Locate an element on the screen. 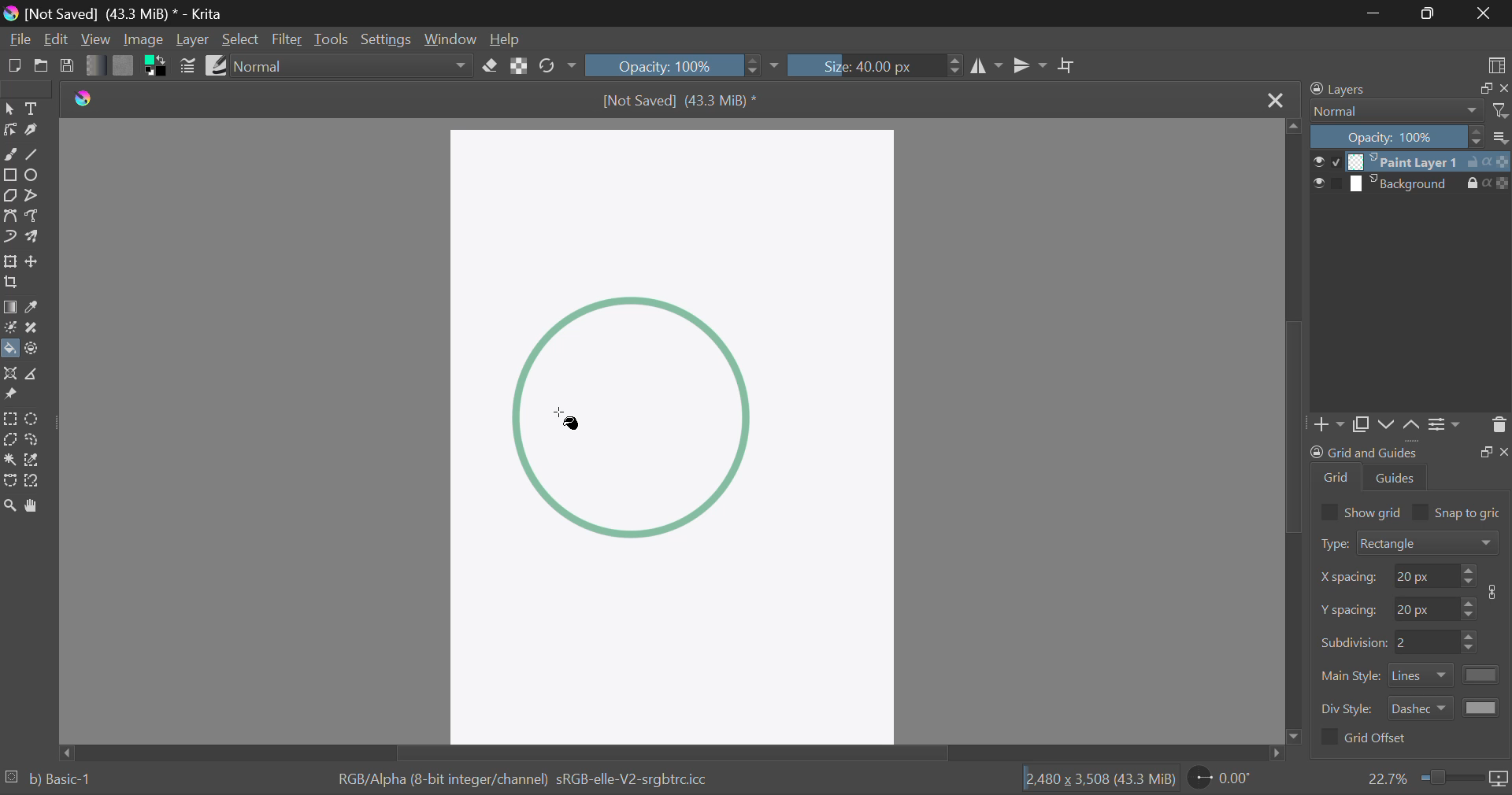 This screenshot has height=795, width=1512. Freehand Selection is located at coordinates (33, 442).